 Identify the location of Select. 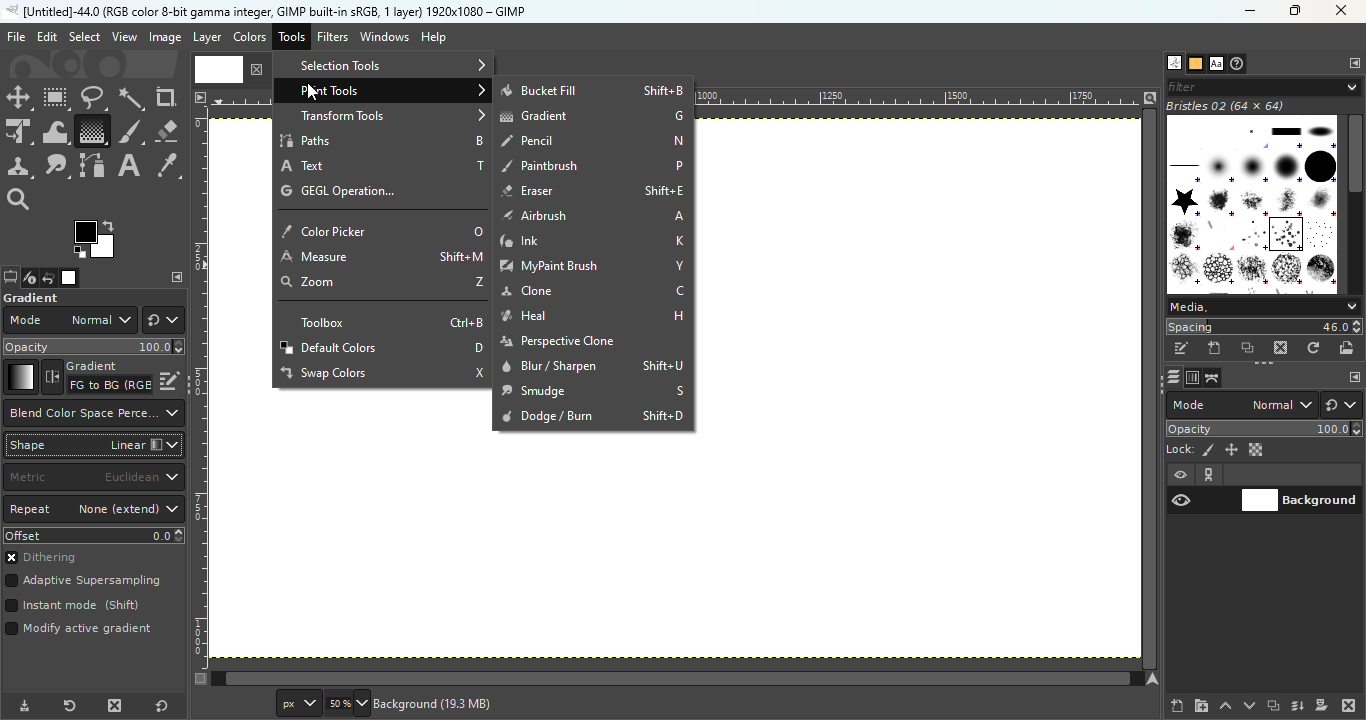
(84, 36).